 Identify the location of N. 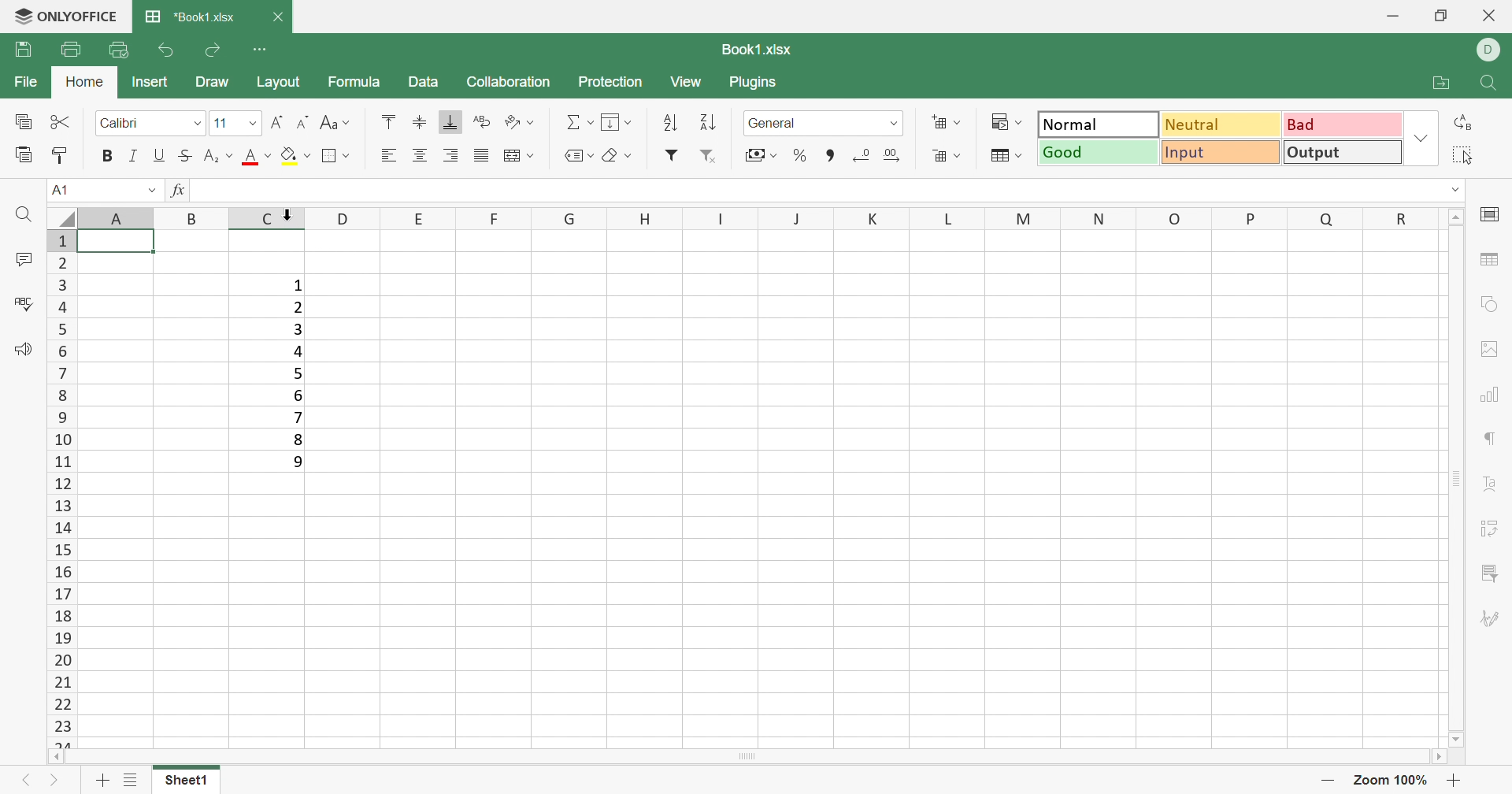
(1102, 217).